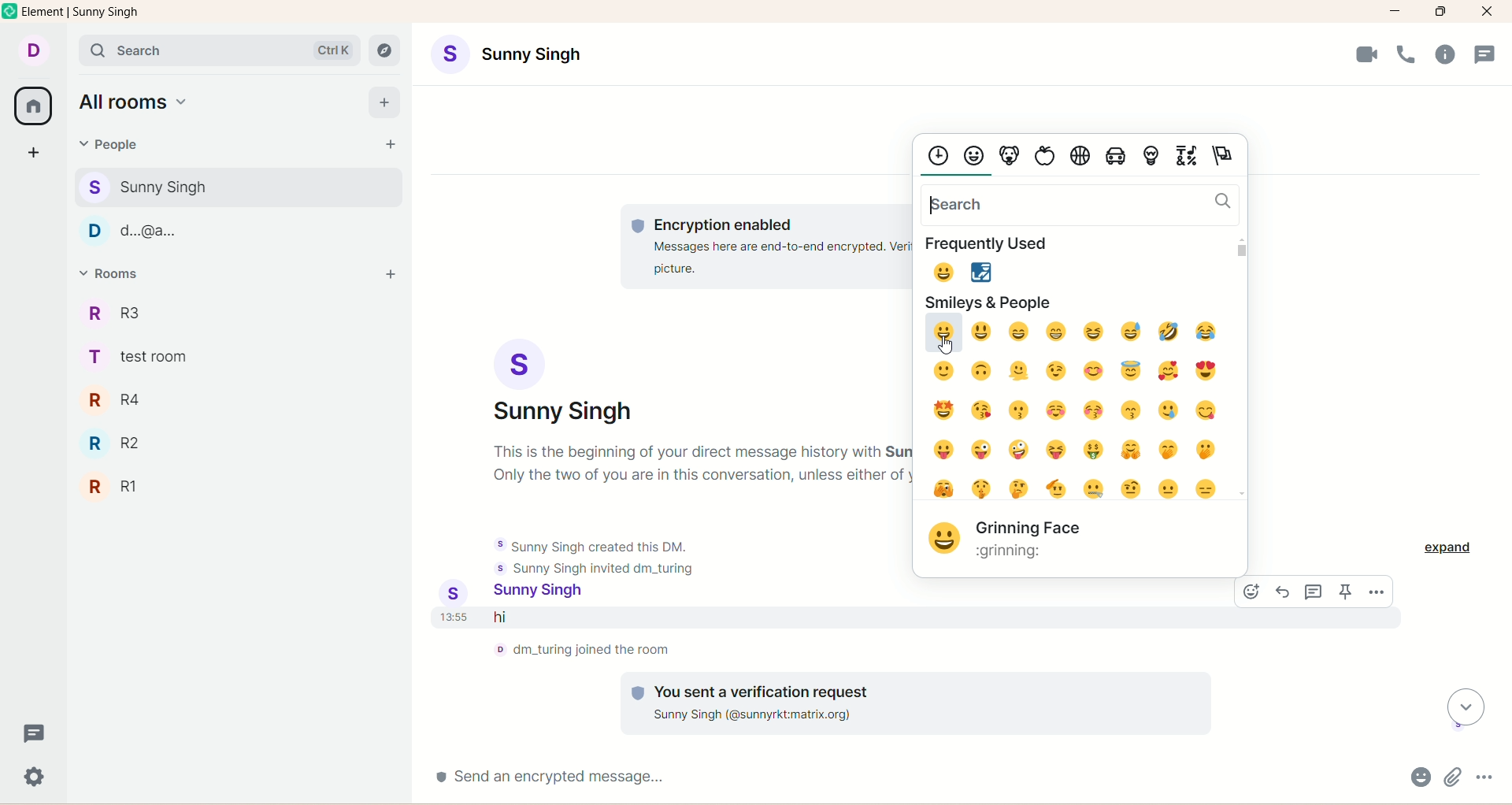  What do you see at coordinates (595, 557) in the screenshot?
I see `text` at bounding box center [595, 557].